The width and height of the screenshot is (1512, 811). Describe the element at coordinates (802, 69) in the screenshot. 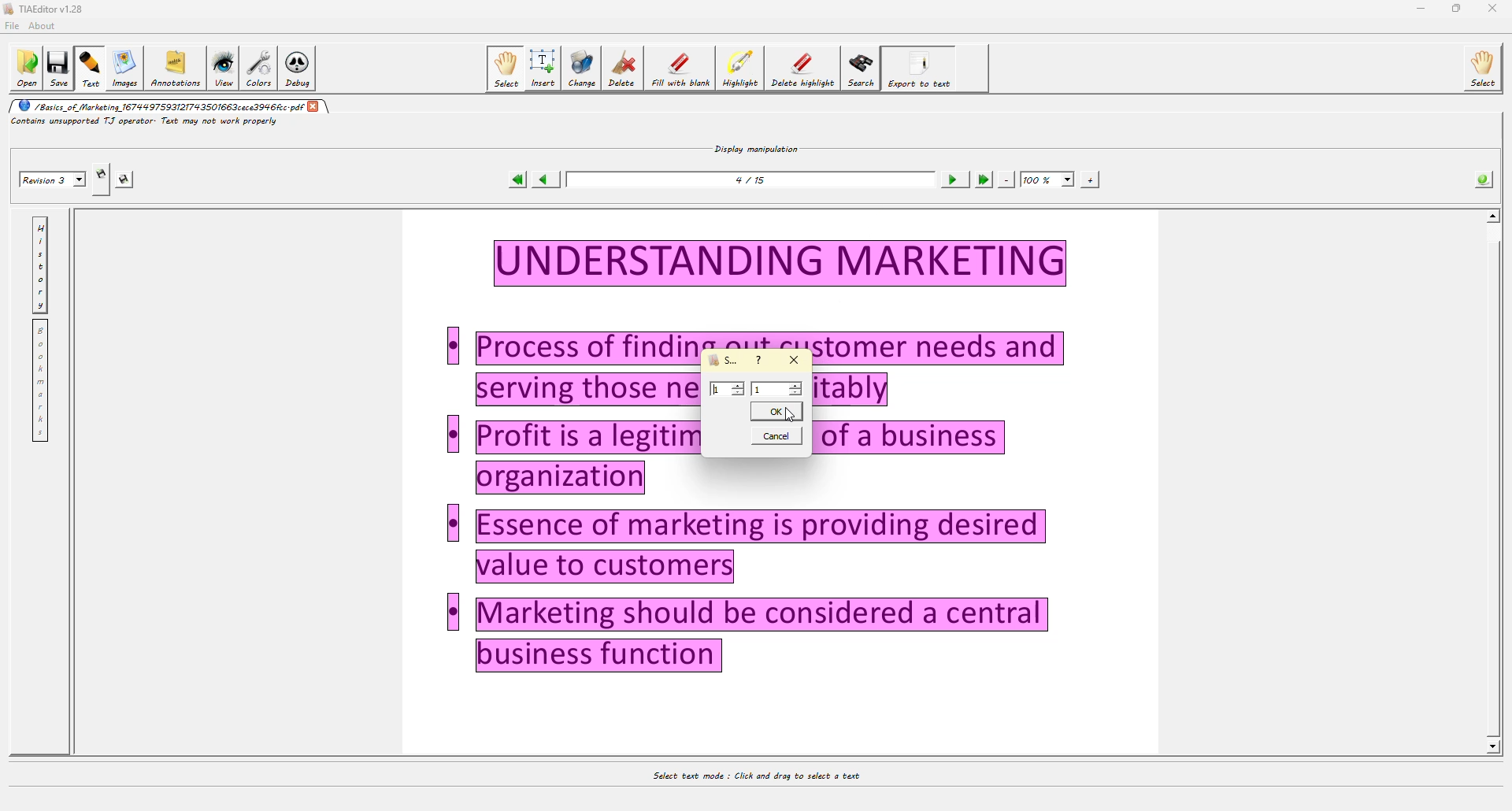

I see `delete highlight` at that location.